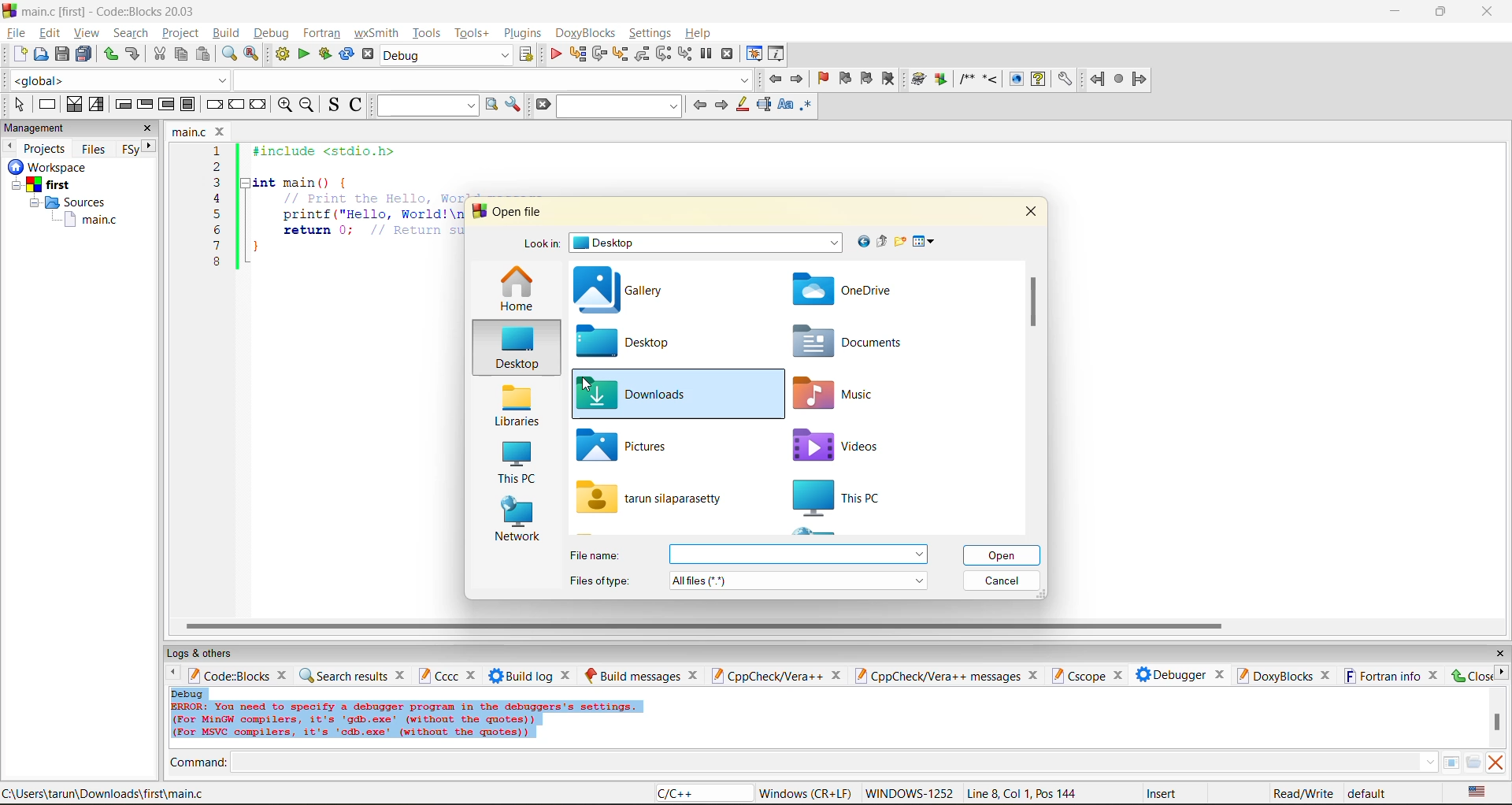 This screenshot has width=1512, height=805. I want to click on next bookmark, so click(868, 76).